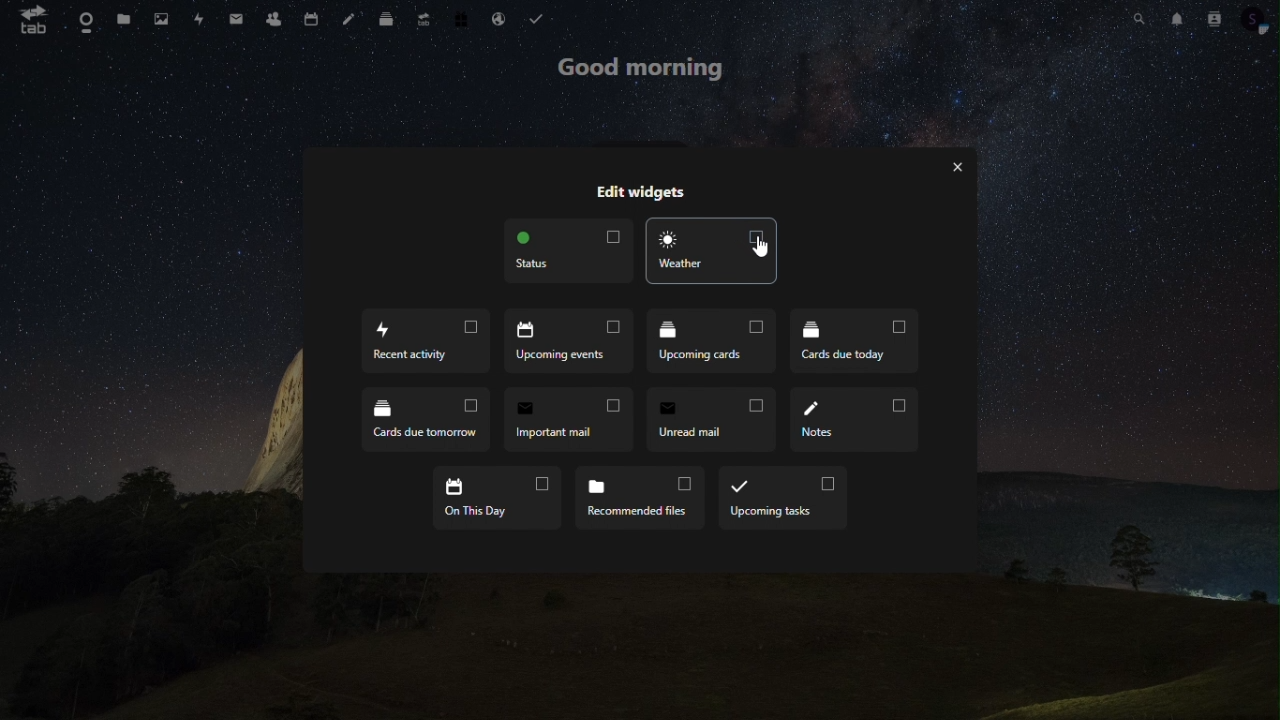  What do you see at coordinates (85, 22) in the screenshot?
I see `dashboard` at bounding box center [85, 22].